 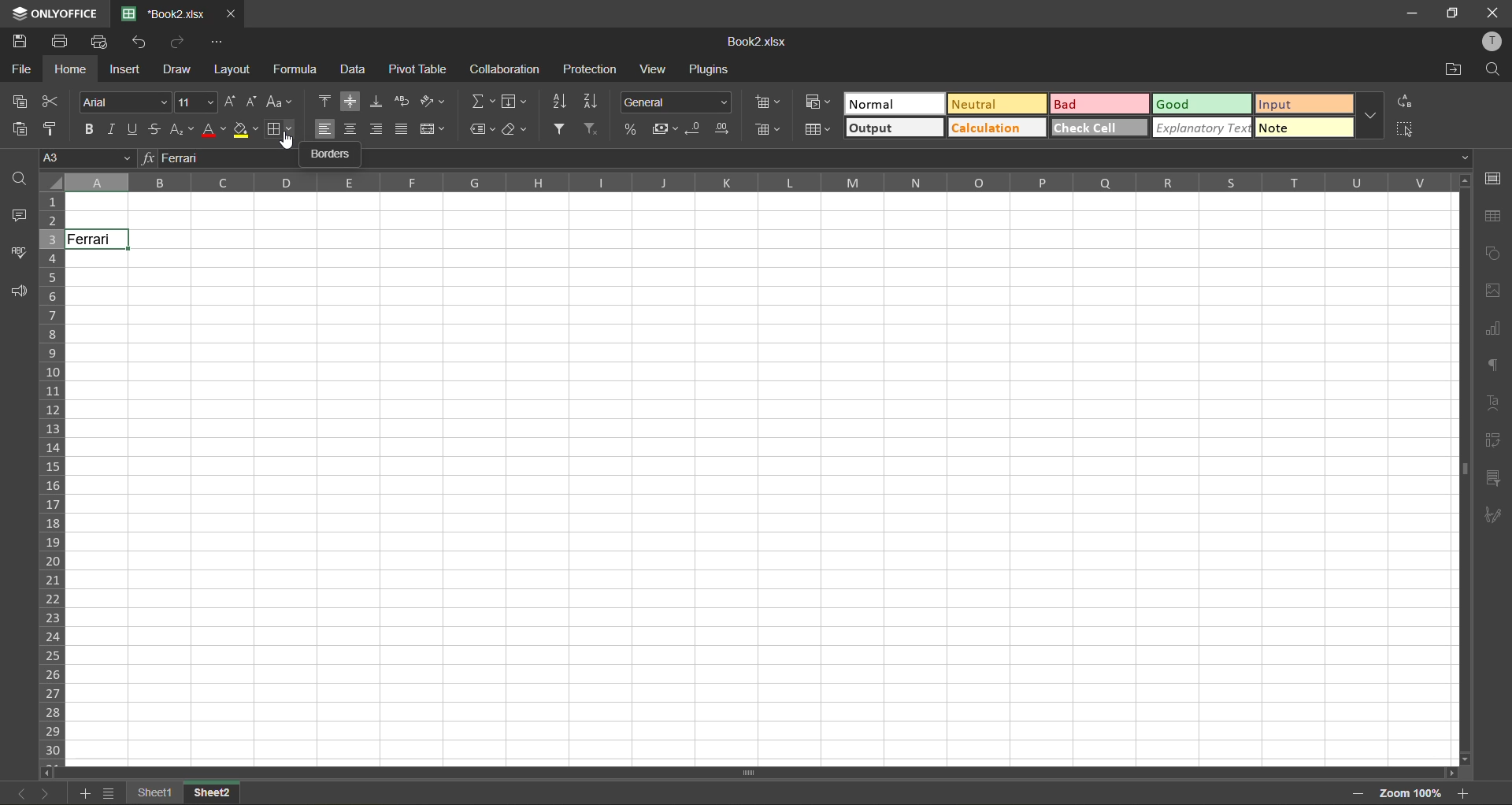 What do you see at coordinates (1100, 104) in the screenshot?
I see `bad` at bounding box center [1100, 104].